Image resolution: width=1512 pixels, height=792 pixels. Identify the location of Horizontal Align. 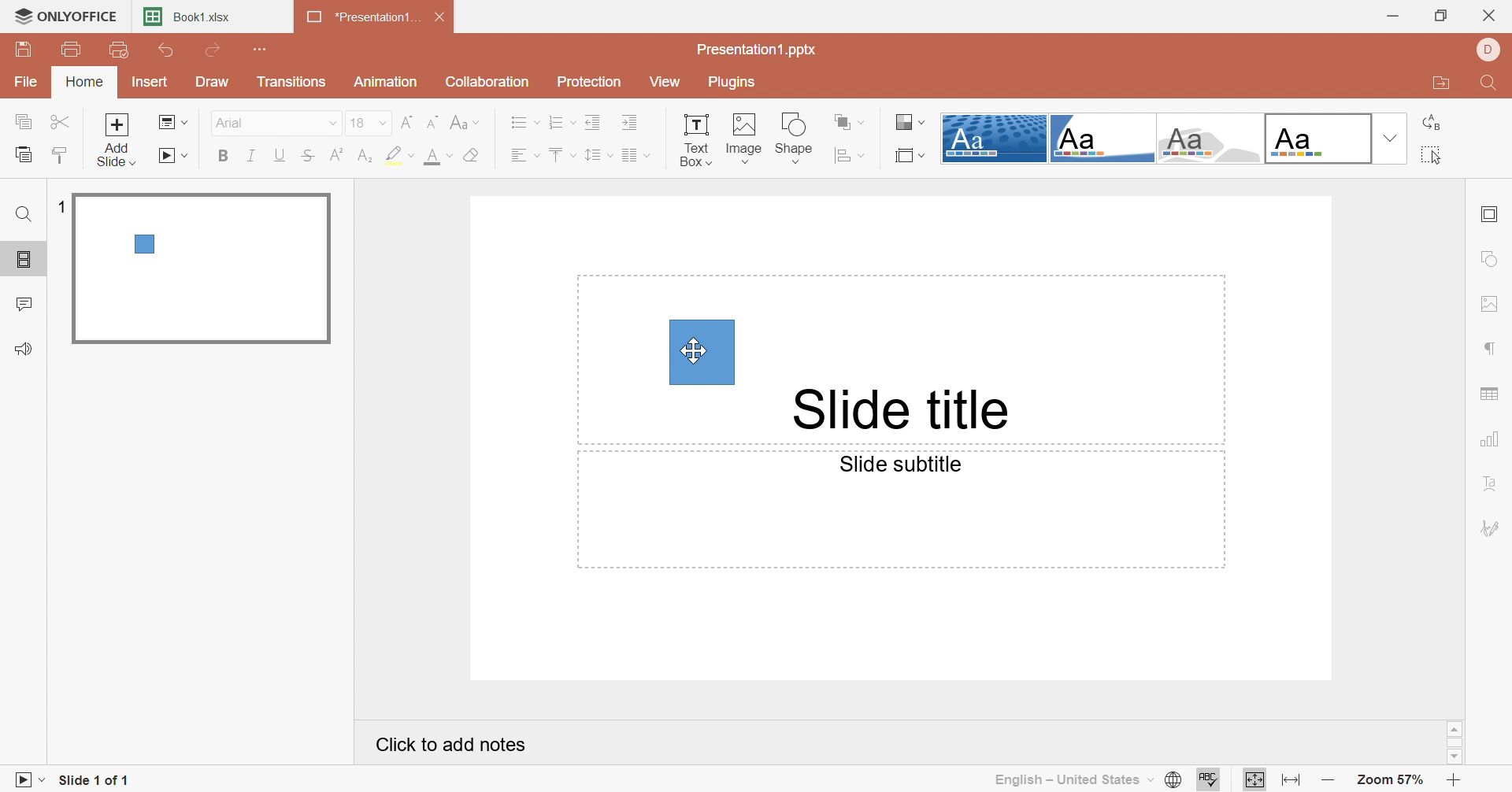
(522, 156).